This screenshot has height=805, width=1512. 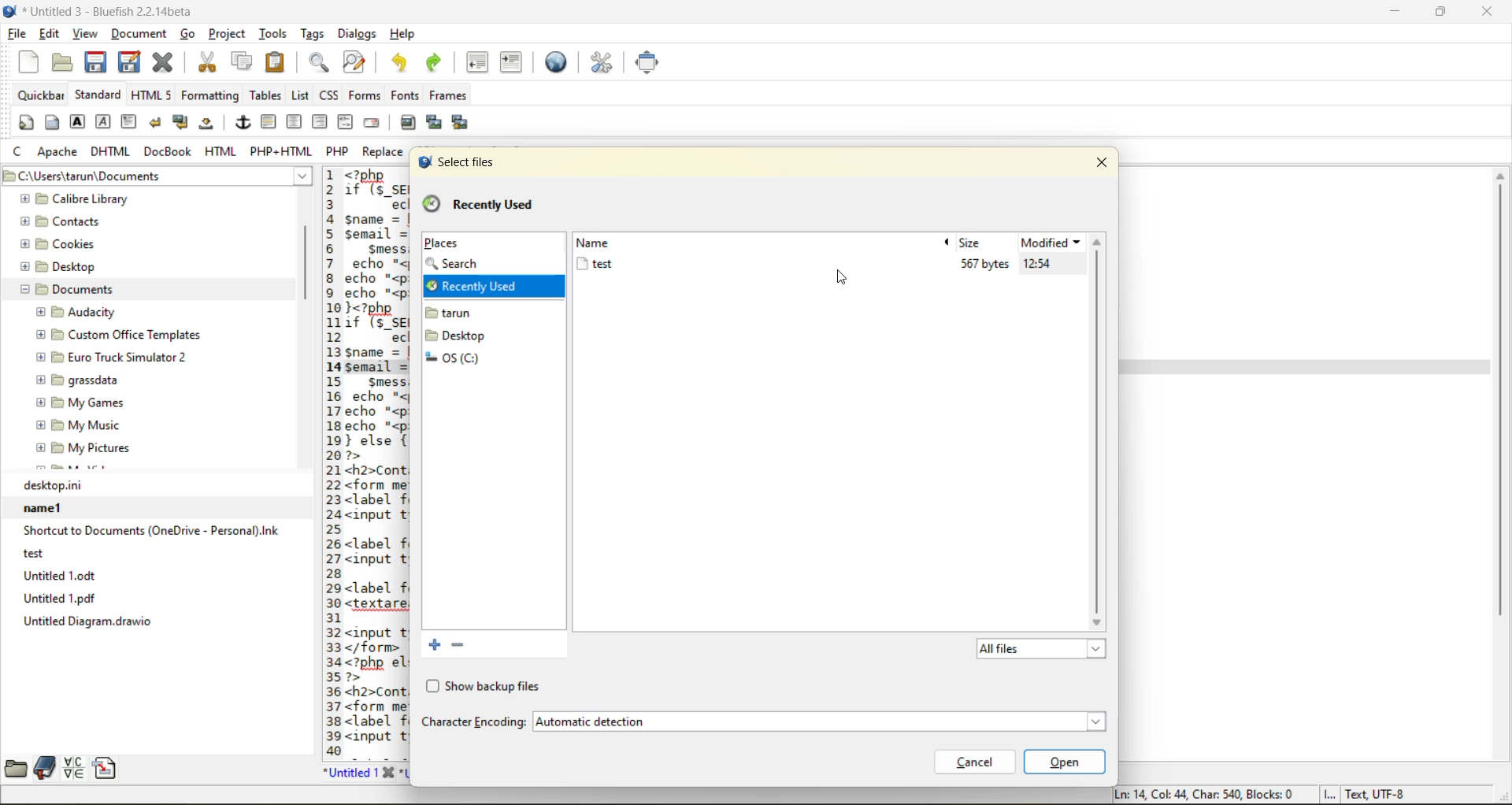 What do you see at coordinates (479, 206) in the screenshot?
I see `recently used folders` at bounding box center [479, 206].